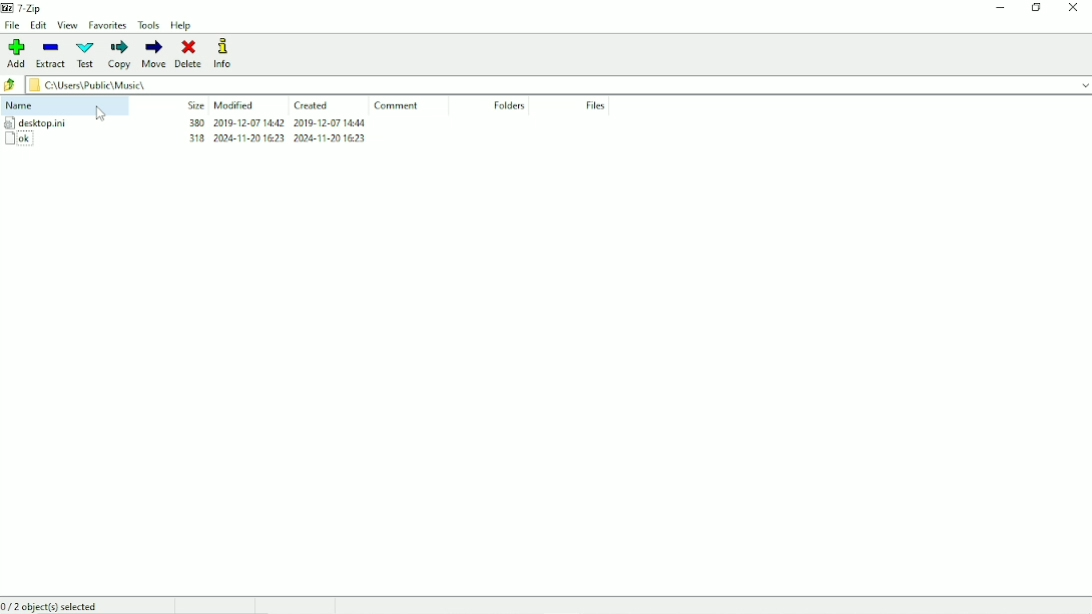 Image resolution: width=1092 pixels, height=614 pixels. I want to click on drop down, so click(1079, 84).